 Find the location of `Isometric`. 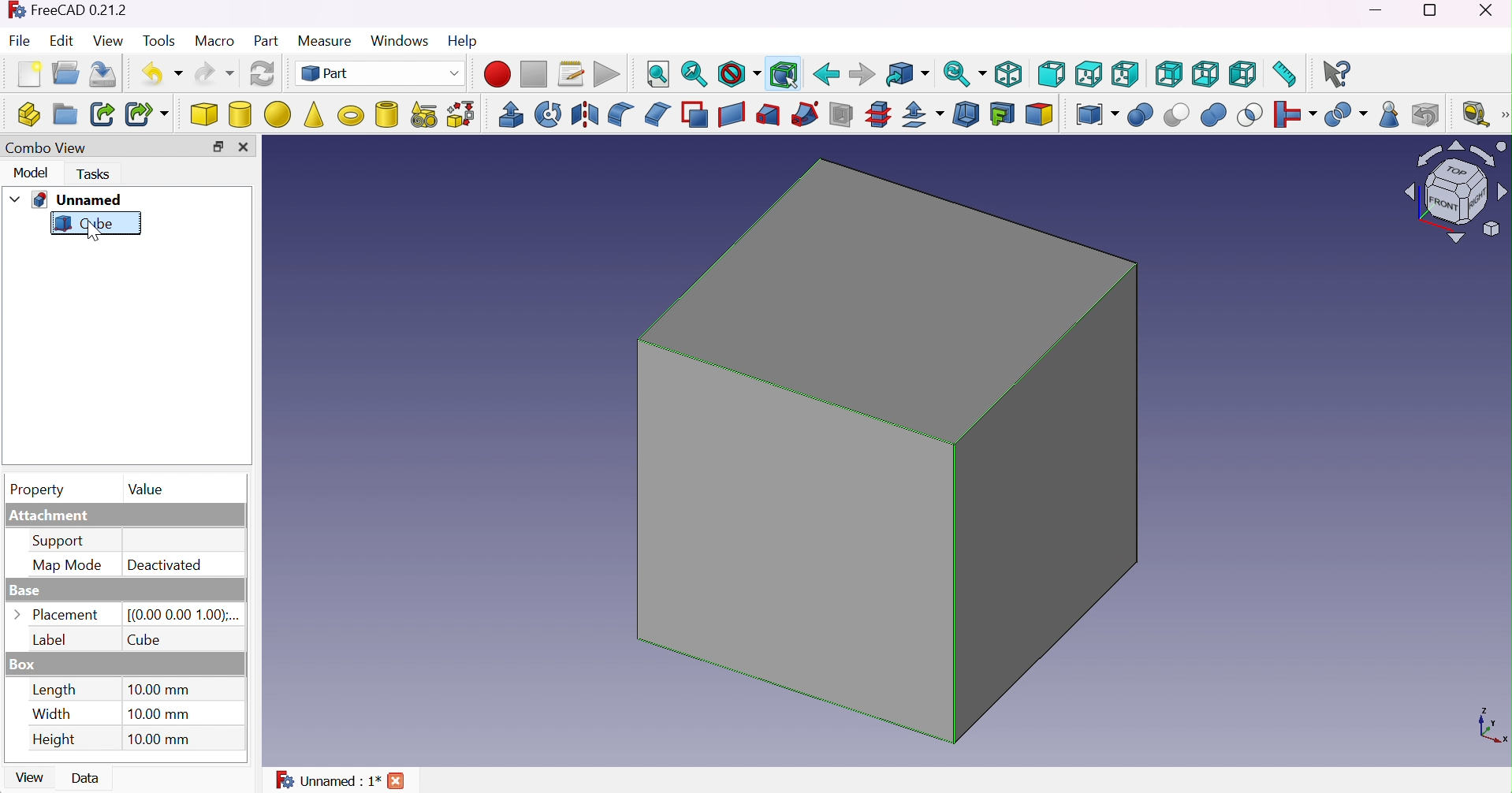

Isometric is located at coordinates (1009, 77).